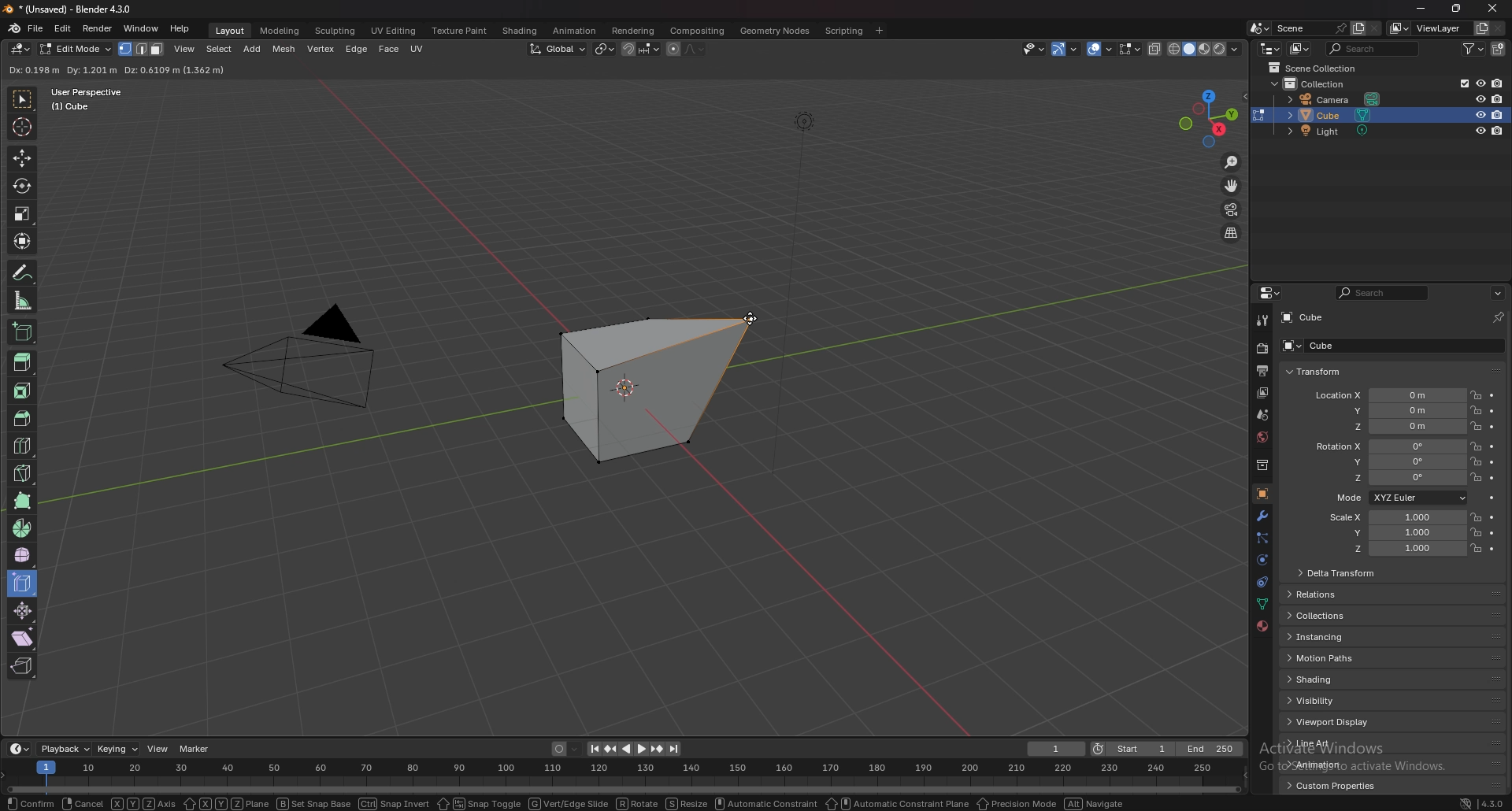 The width and height of the screenshot is (1512, 811). Describe the element at coordinates (621, 777) in the screenshot. I see `seek` at that location.